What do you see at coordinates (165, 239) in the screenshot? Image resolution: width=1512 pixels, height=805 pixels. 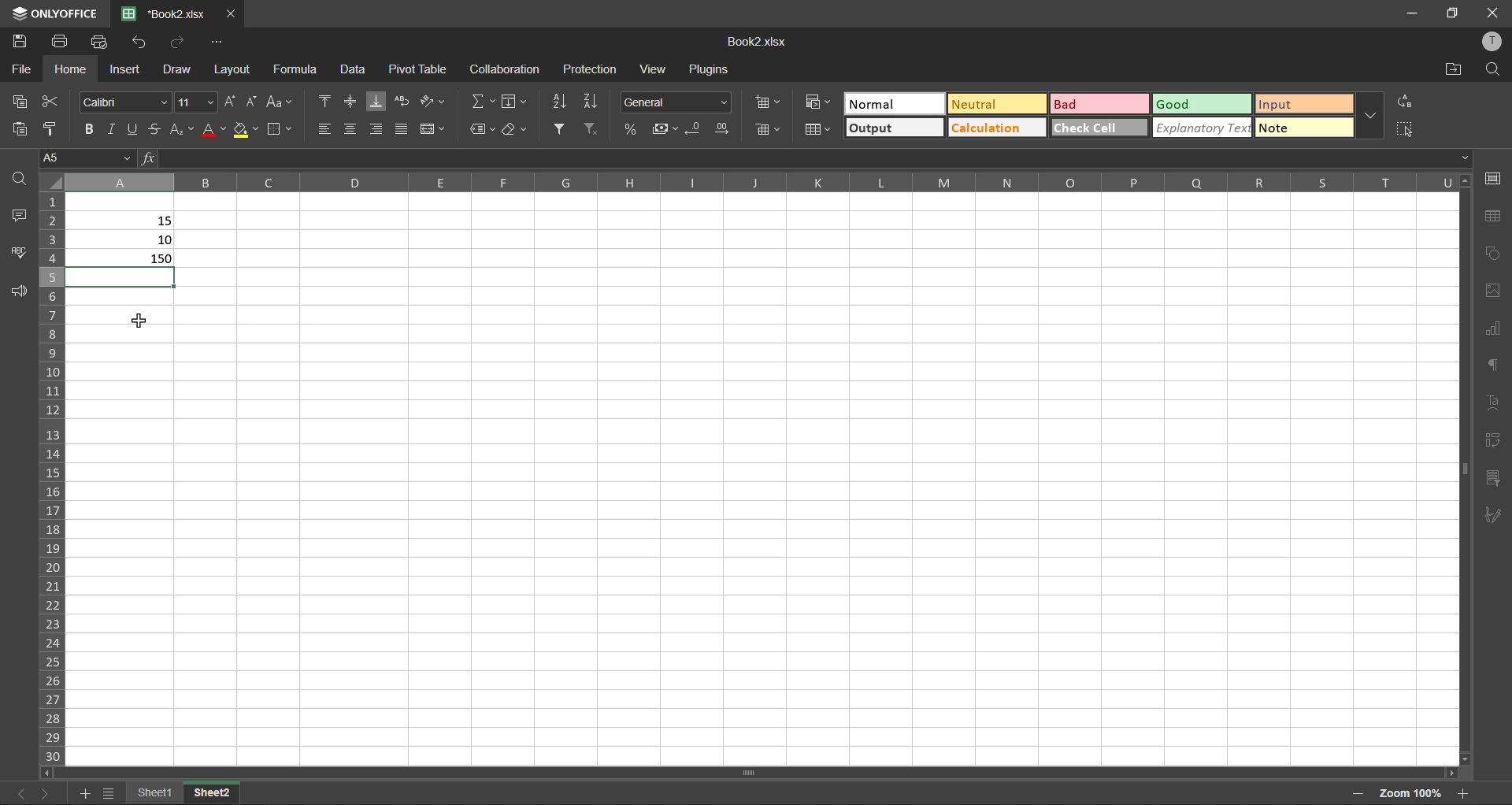 I see `10` at bounding box center [165, 239].